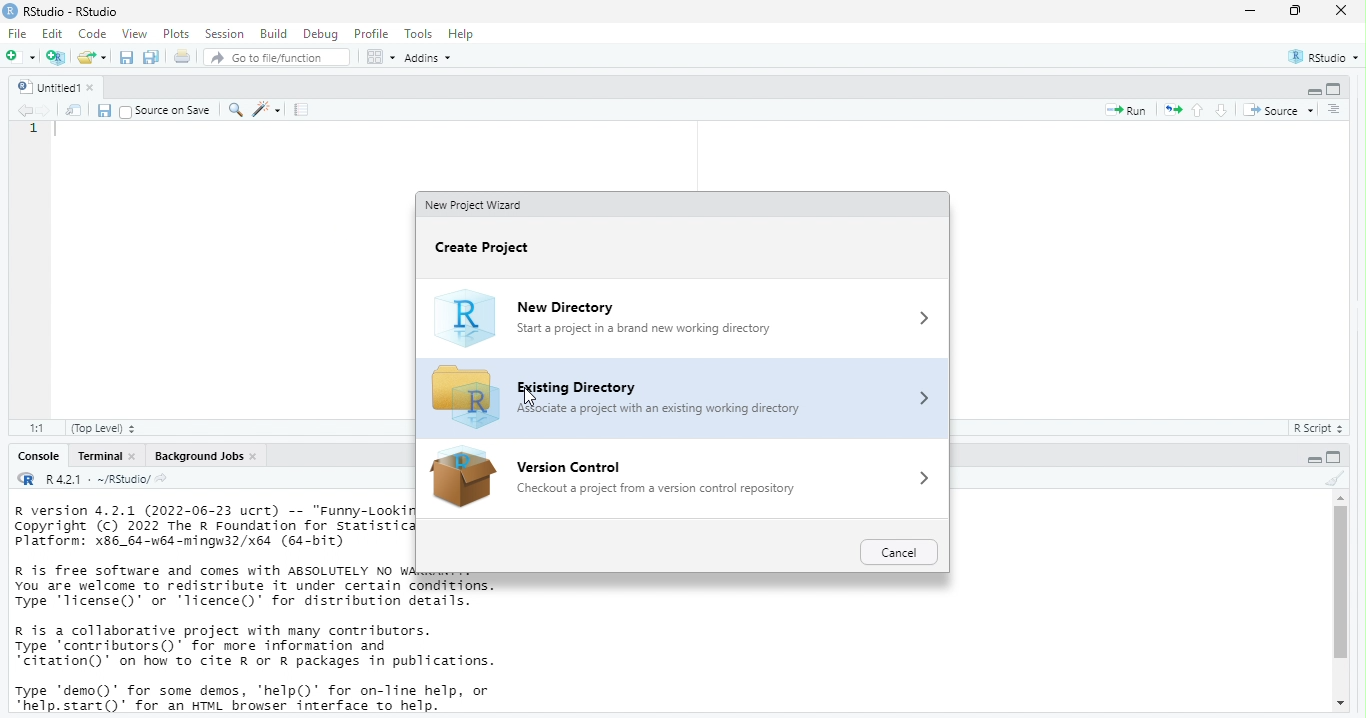 This screenshot has height=718, width=1366. I want to click on save current document, so click(125, 58).